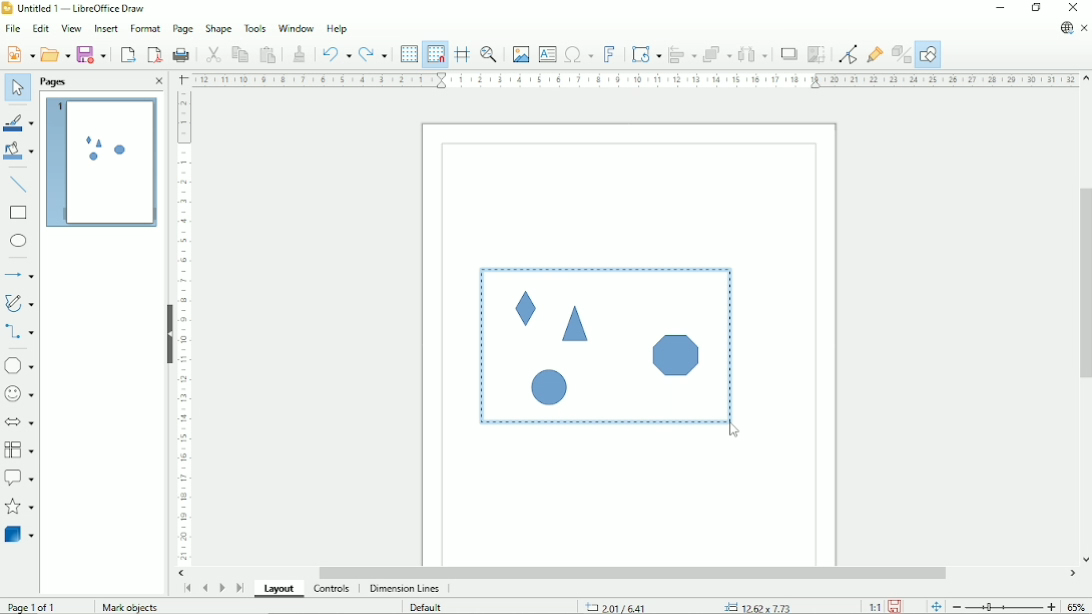 This screenshot has width=1092, height=614. Describe the element at coordinates (602, 344) in the screenshot. I see `Shapes selected` at that location.